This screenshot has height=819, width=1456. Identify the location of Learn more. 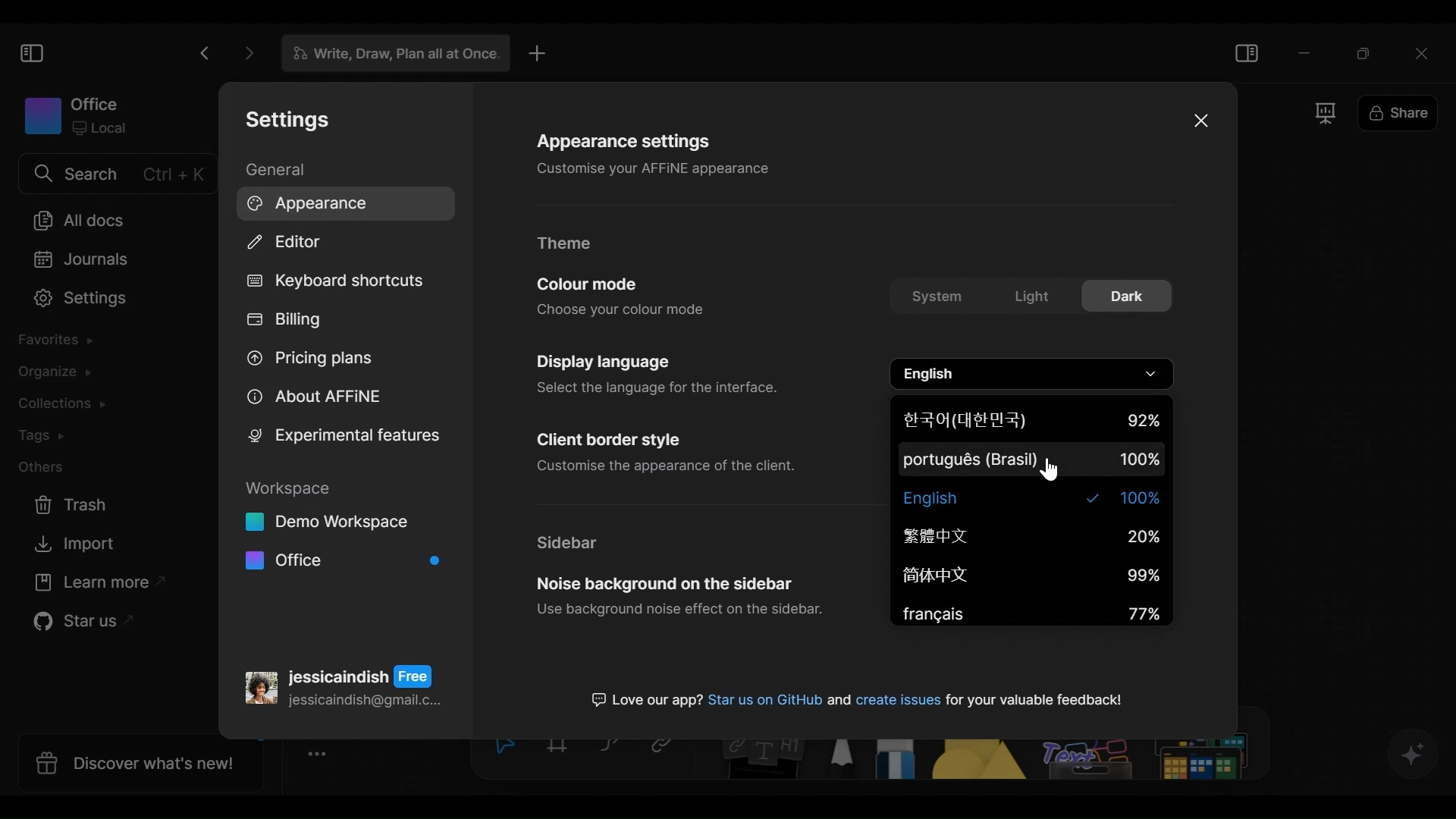
(93, 585).